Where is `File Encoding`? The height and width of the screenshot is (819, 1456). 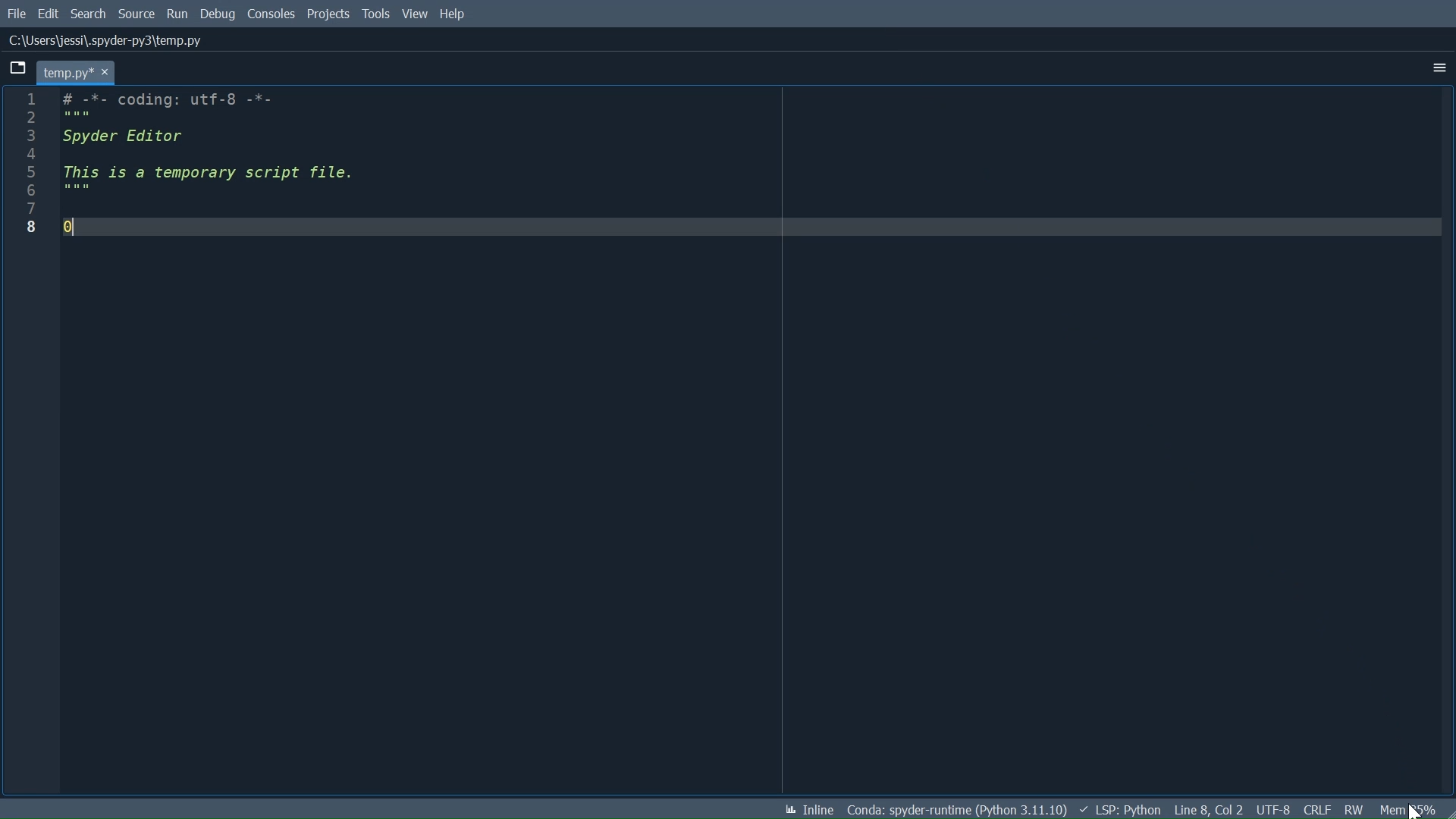 File Encoding is located at coordinates (1273, 809).